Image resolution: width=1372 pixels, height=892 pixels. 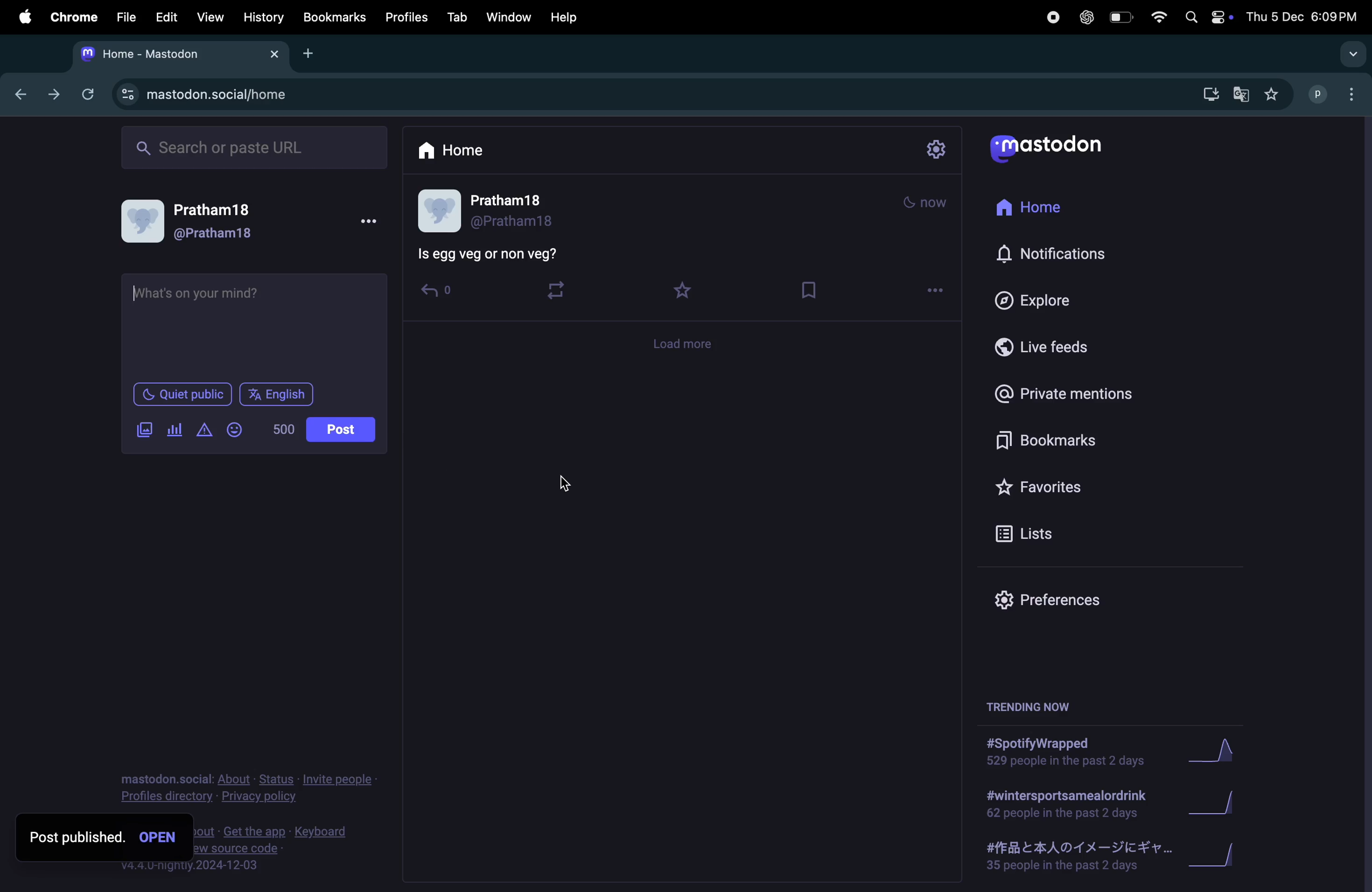 I want to click on boost, so click(x=562, y=291).